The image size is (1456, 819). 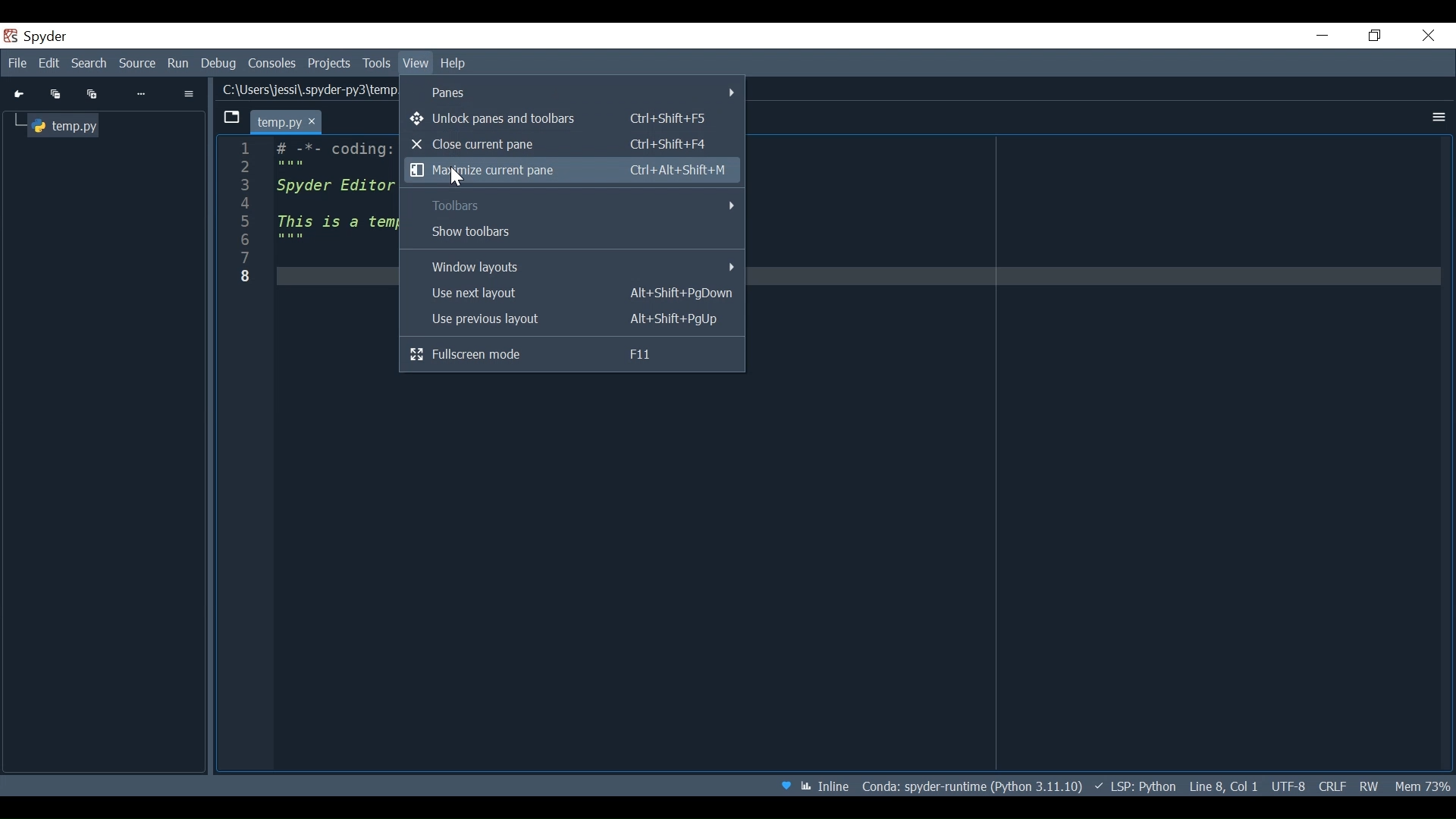 I want to click on Projects, so click(x=331, y=64).